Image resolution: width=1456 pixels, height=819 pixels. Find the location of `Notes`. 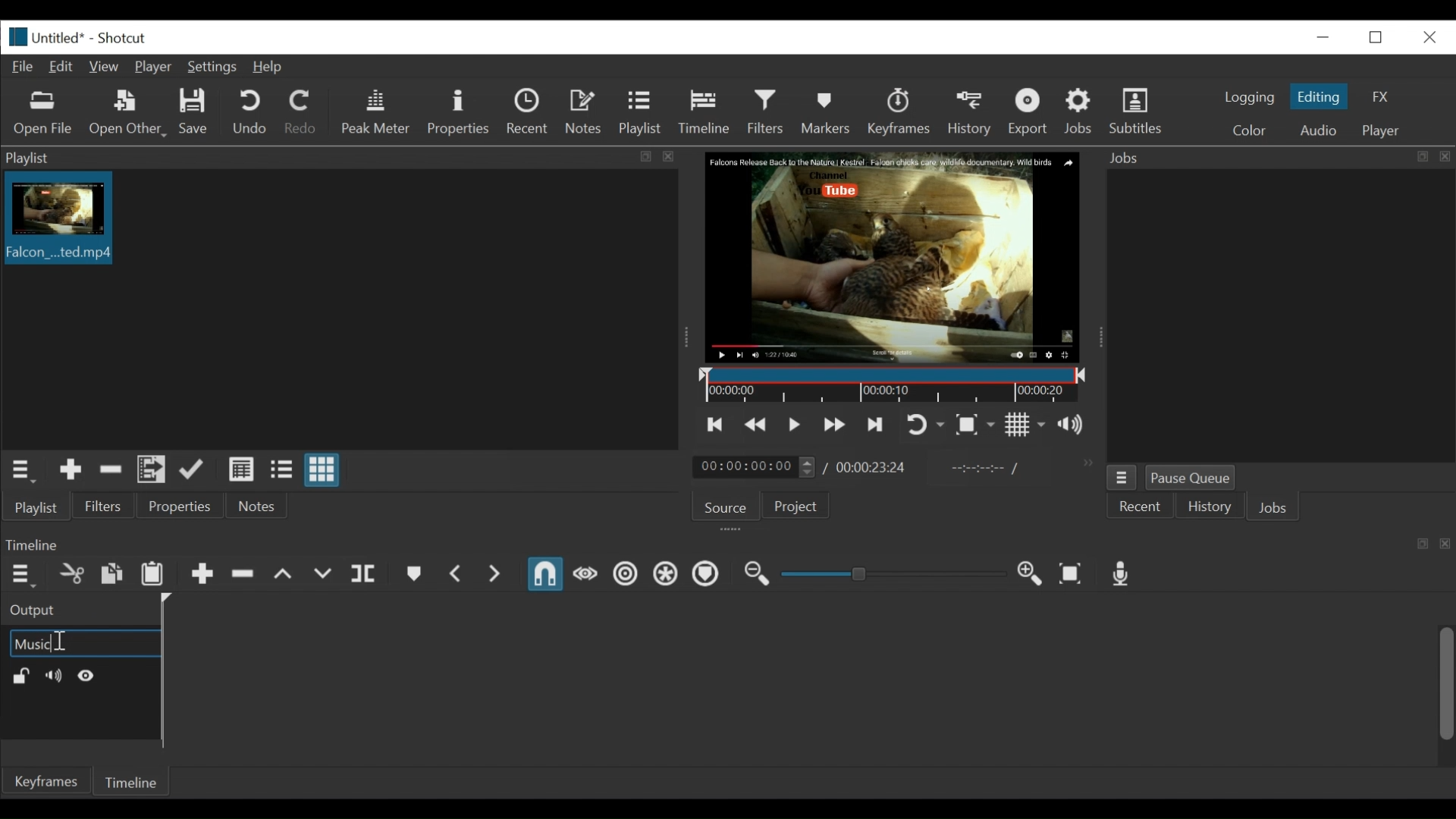

Notes is located at coordinates (585, 111).